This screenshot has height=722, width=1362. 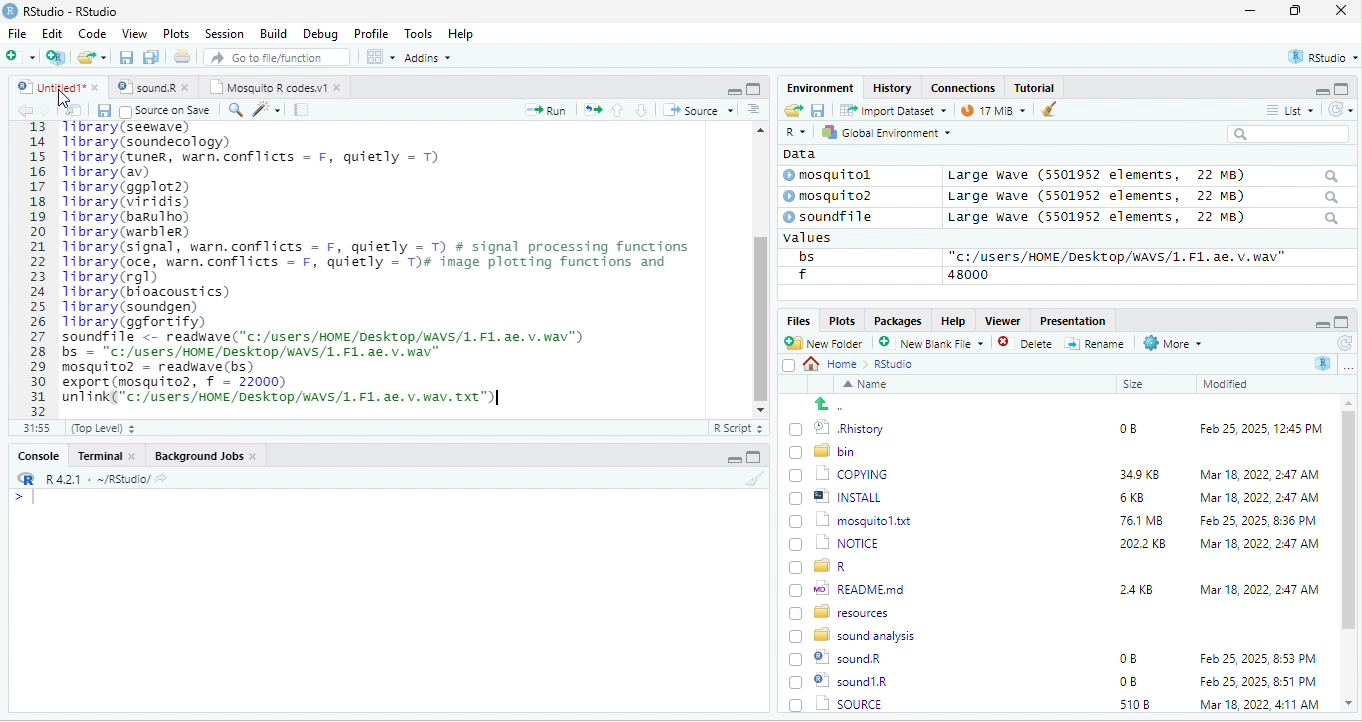 What do you see at coordinates (1319, 58) in the screenshot?
I see `rstudio` at bounding box center [1319, 58].